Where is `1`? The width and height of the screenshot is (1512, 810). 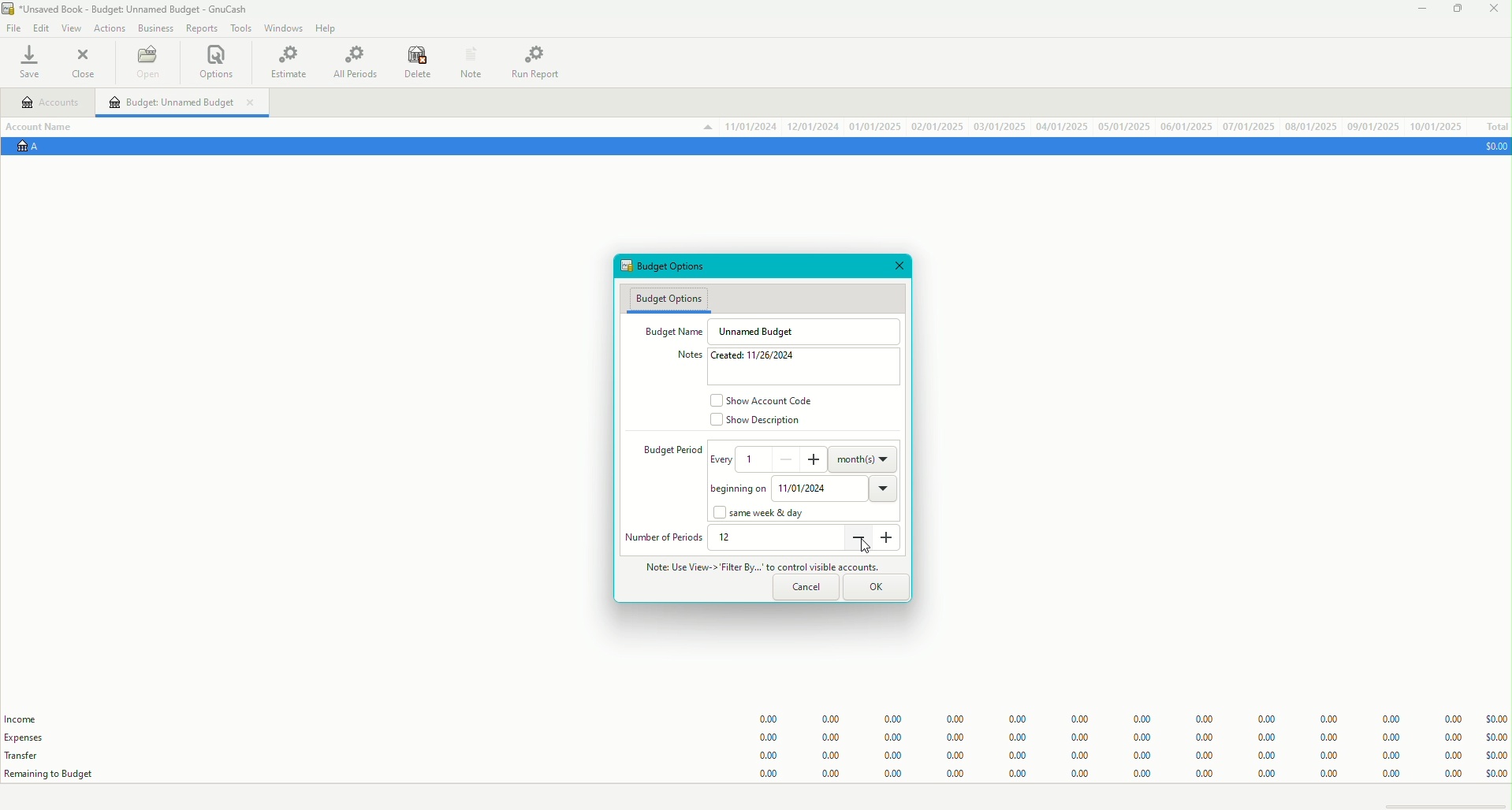 1 is located at coordinates (753, 457).